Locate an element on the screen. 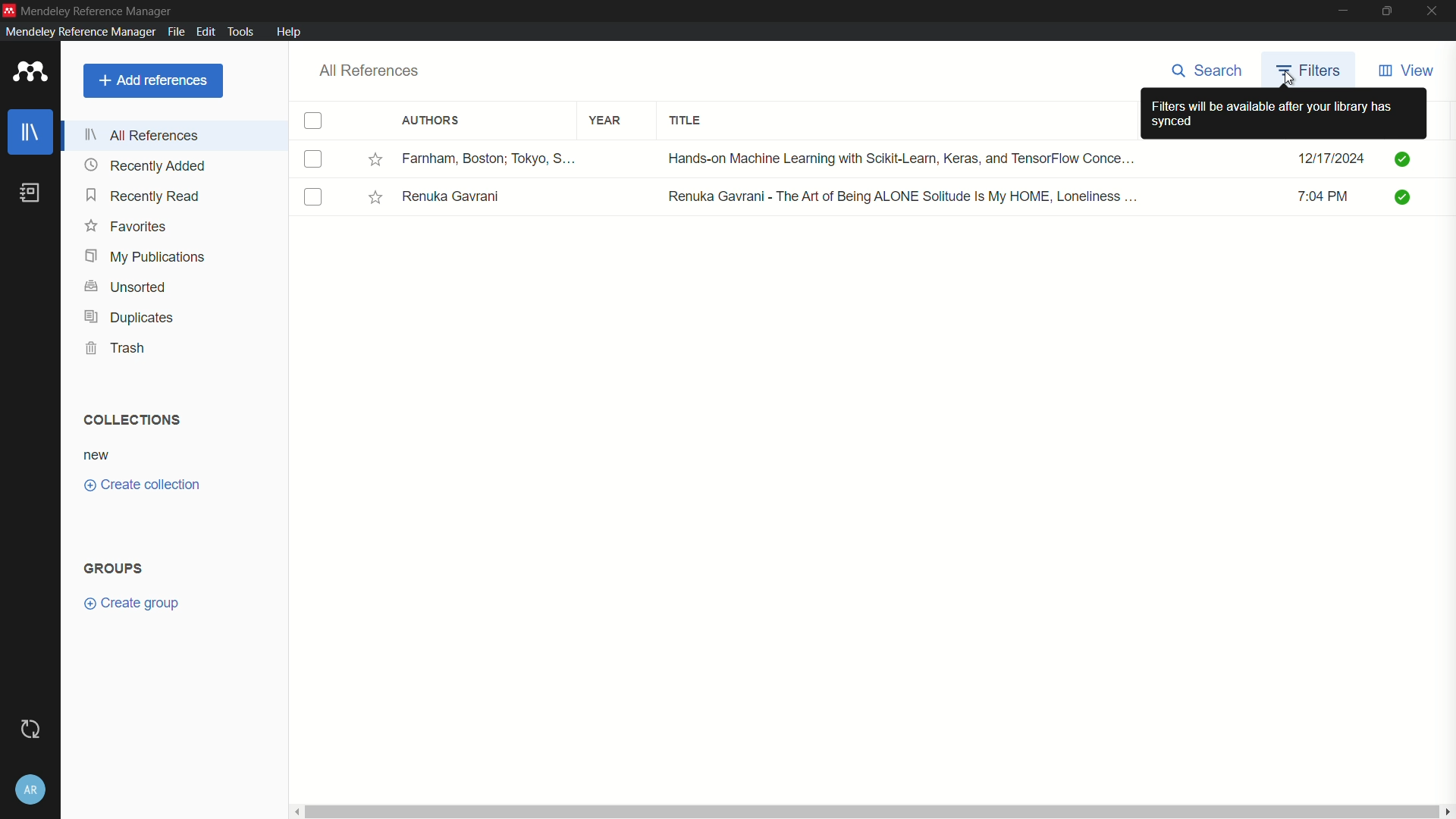  Checkmarks is located at coordinates (1404, 196).